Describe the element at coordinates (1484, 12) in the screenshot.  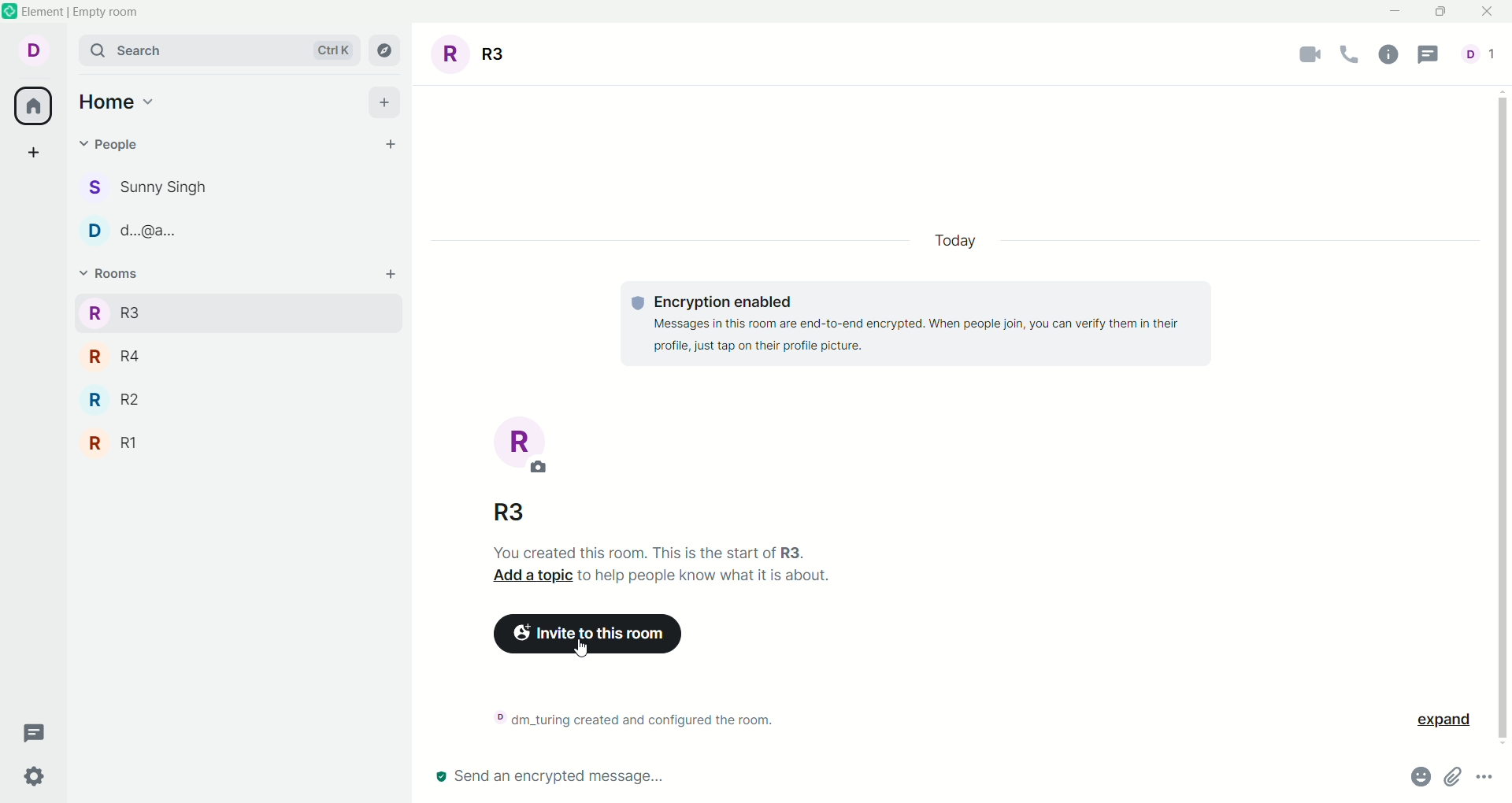
I see `close` at that location.